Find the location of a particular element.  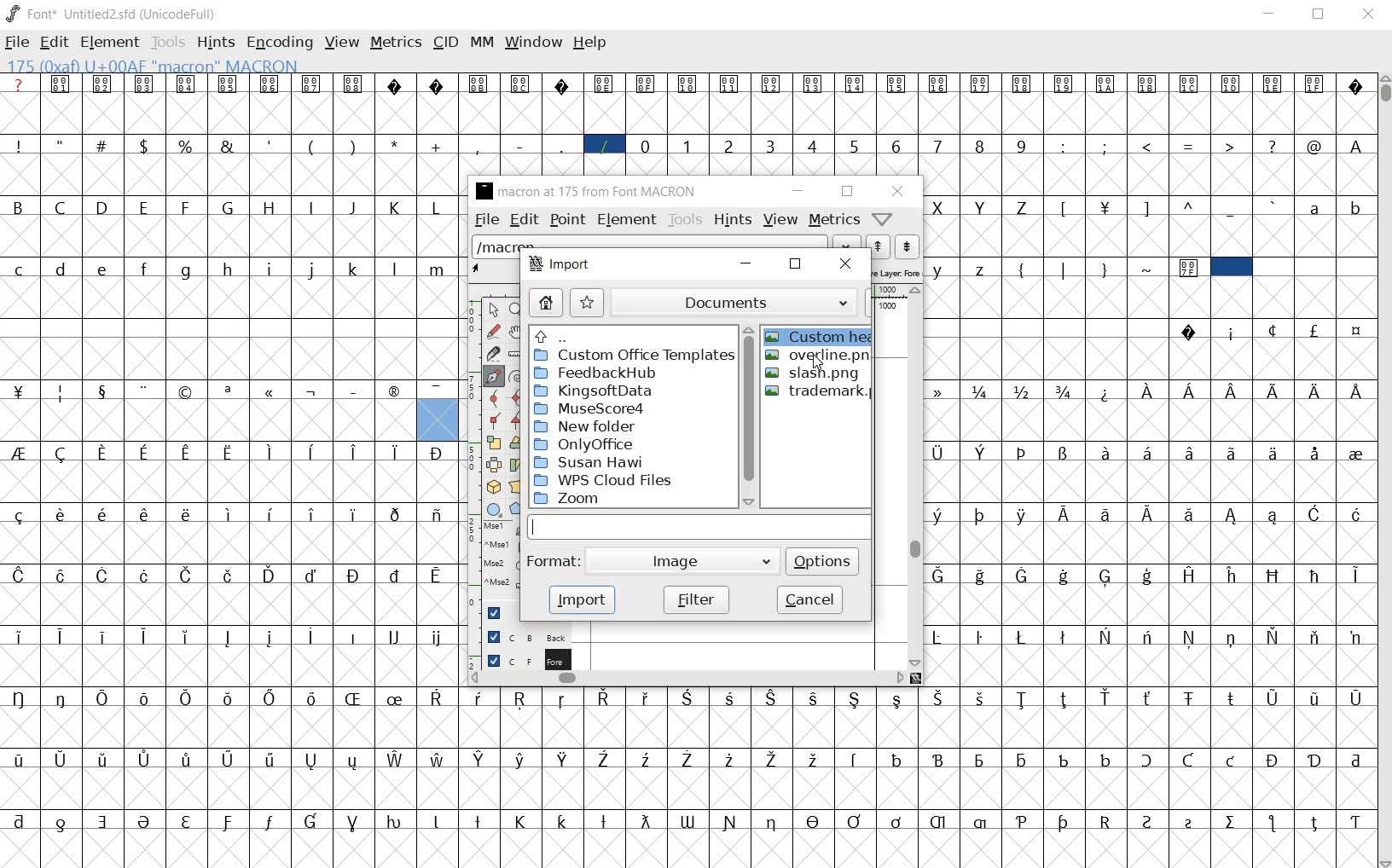

_ is located at coordinates (564, 146).